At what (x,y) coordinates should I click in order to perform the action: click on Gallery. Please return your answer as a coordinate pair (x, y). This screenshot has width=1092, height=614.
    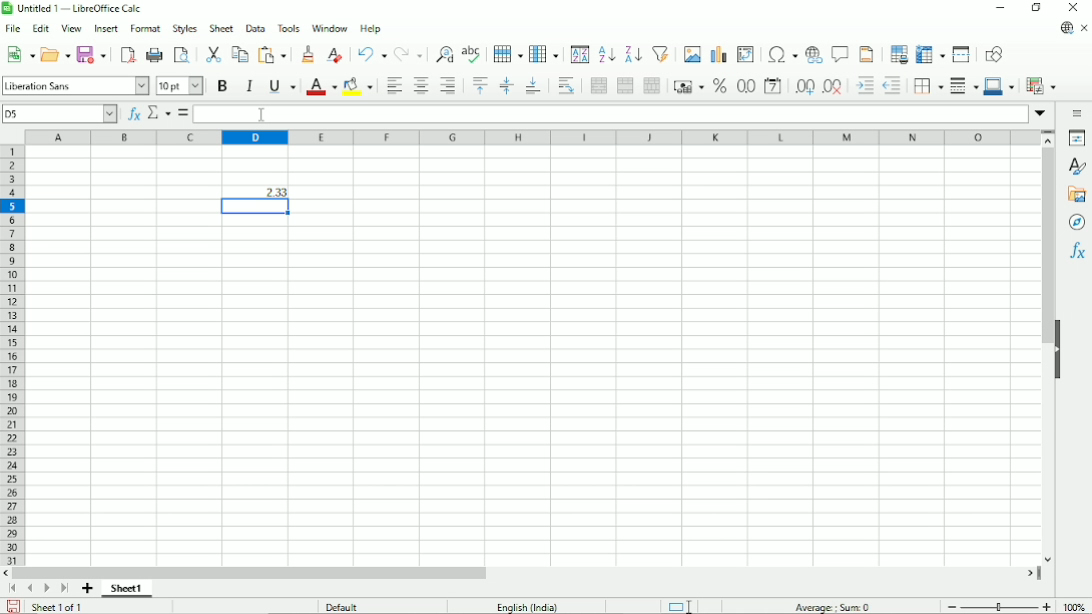
    Looking at the image, I should click on (1077, 195).